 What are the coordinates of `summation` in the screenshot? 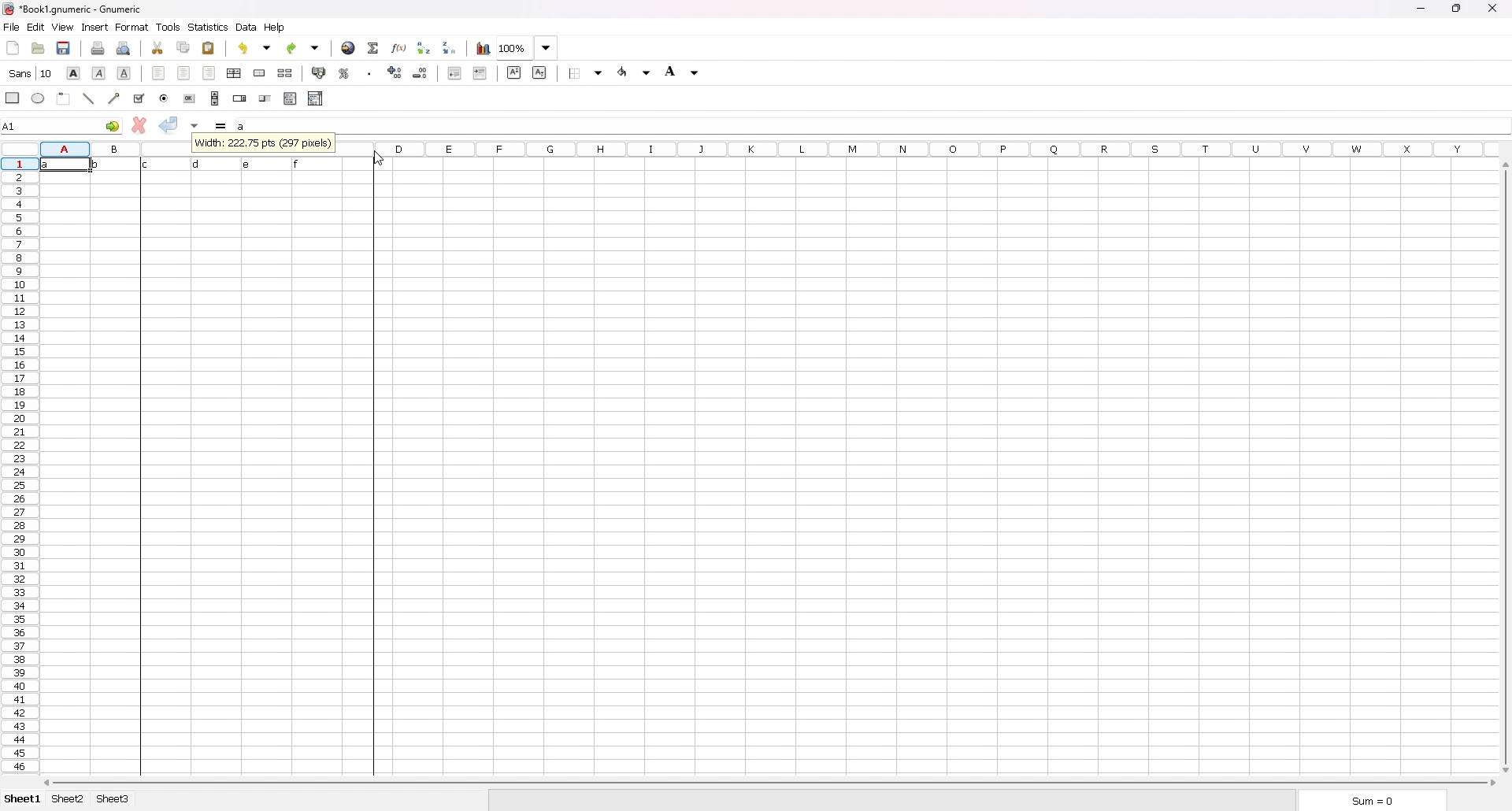 It's located at (374, 47).